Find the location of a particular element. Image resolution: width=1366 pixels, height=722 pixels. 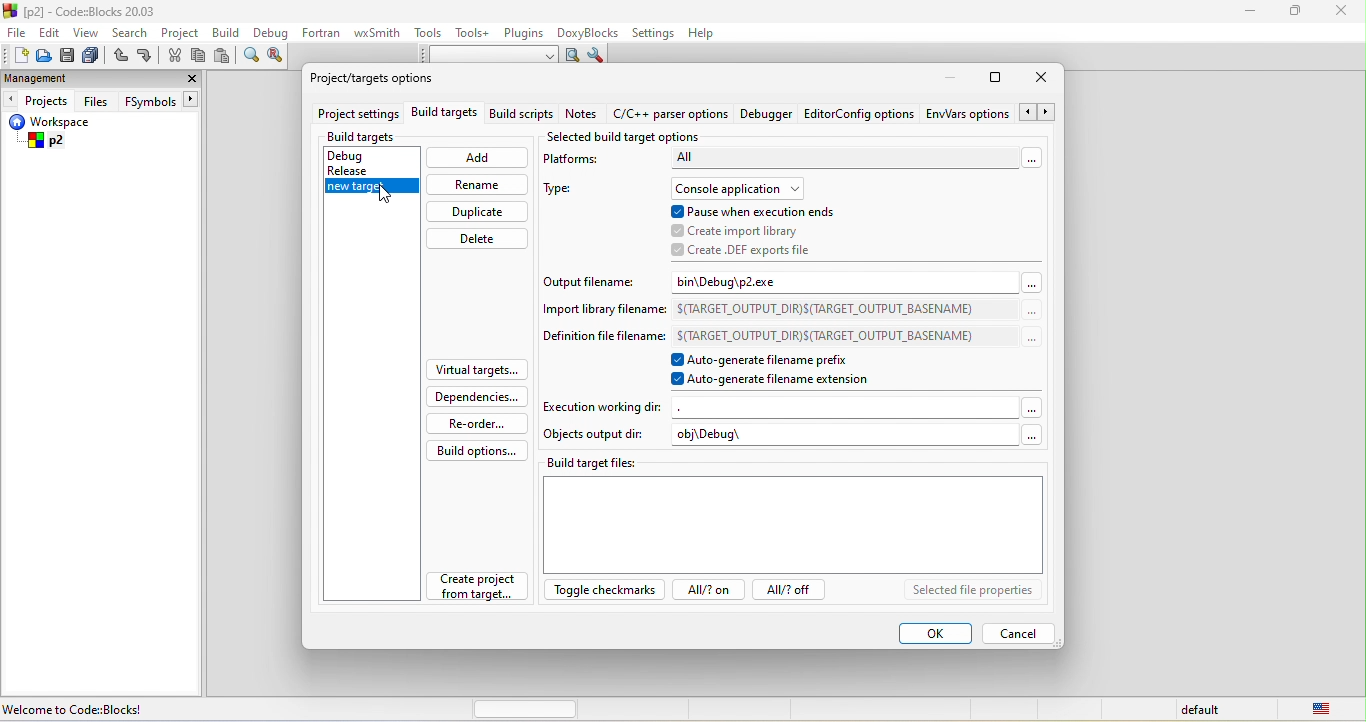

united state is located at coordinates (1329, 710).